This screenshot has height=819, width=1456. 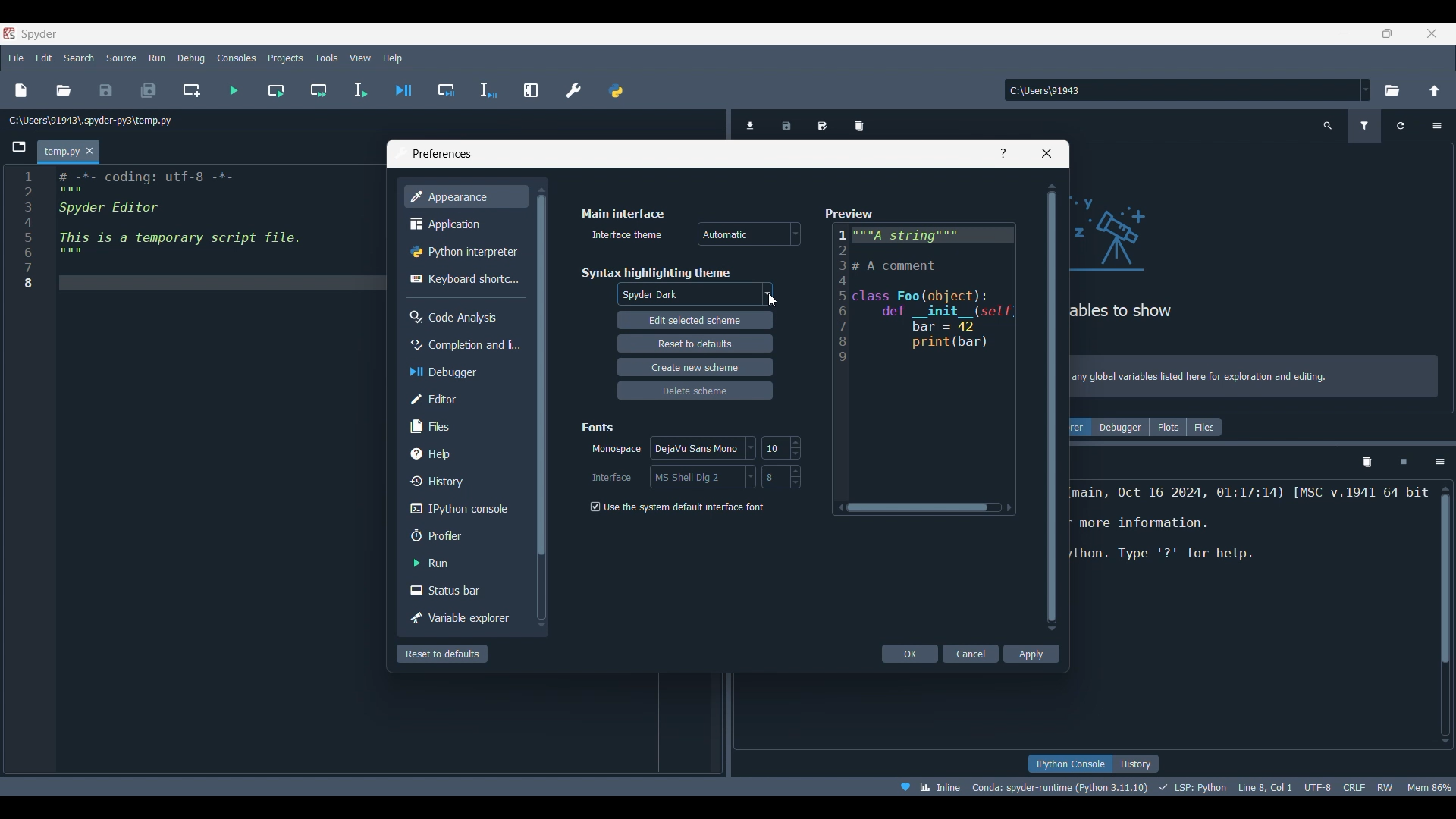 I want to click on Search variable names and types, so click(x=1329, y=126).